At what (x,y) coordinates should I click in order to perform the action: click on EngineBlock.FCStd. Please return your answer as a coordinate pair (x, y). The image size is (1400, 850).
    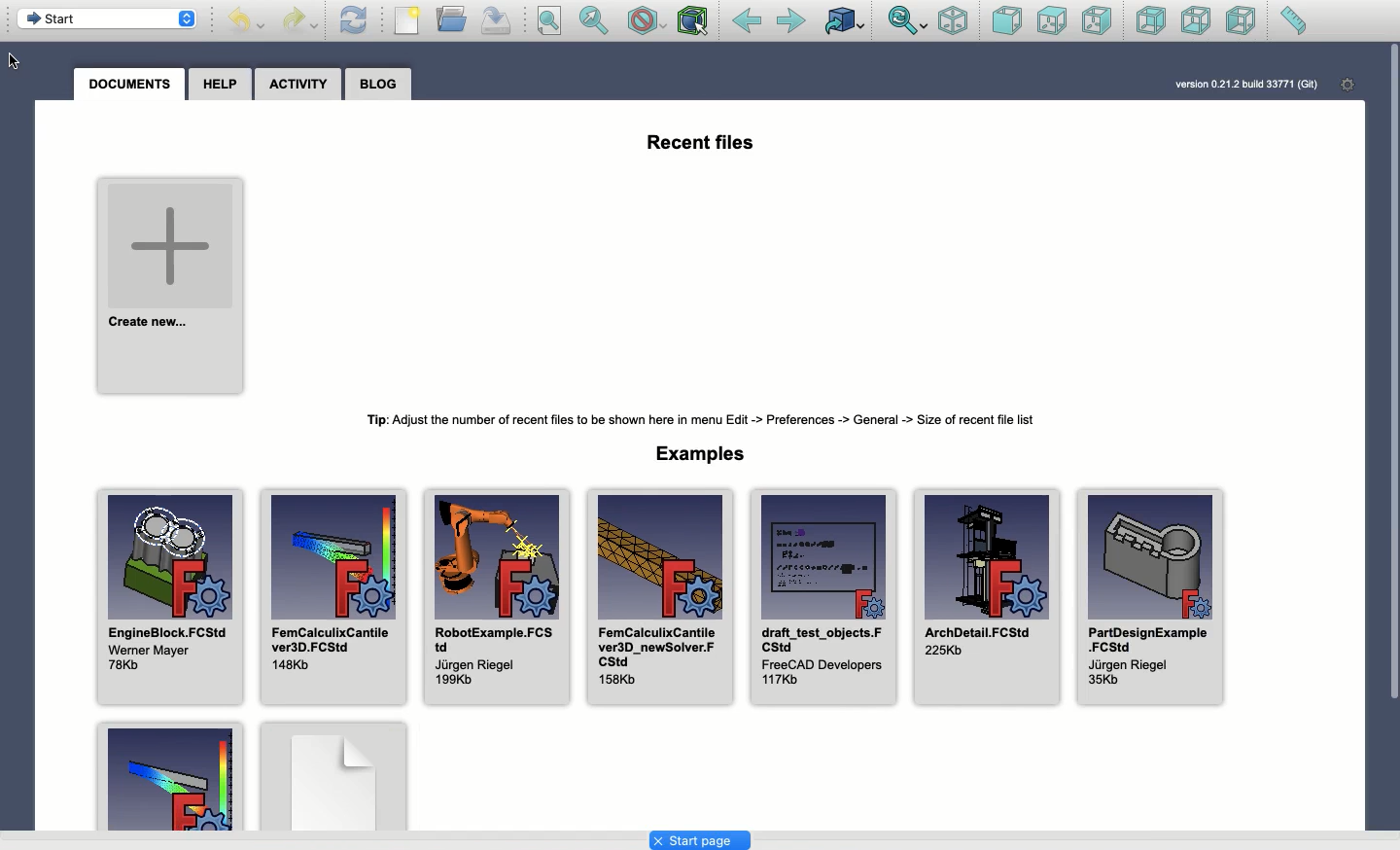
    Looking at the image, I should click on (171, 597).